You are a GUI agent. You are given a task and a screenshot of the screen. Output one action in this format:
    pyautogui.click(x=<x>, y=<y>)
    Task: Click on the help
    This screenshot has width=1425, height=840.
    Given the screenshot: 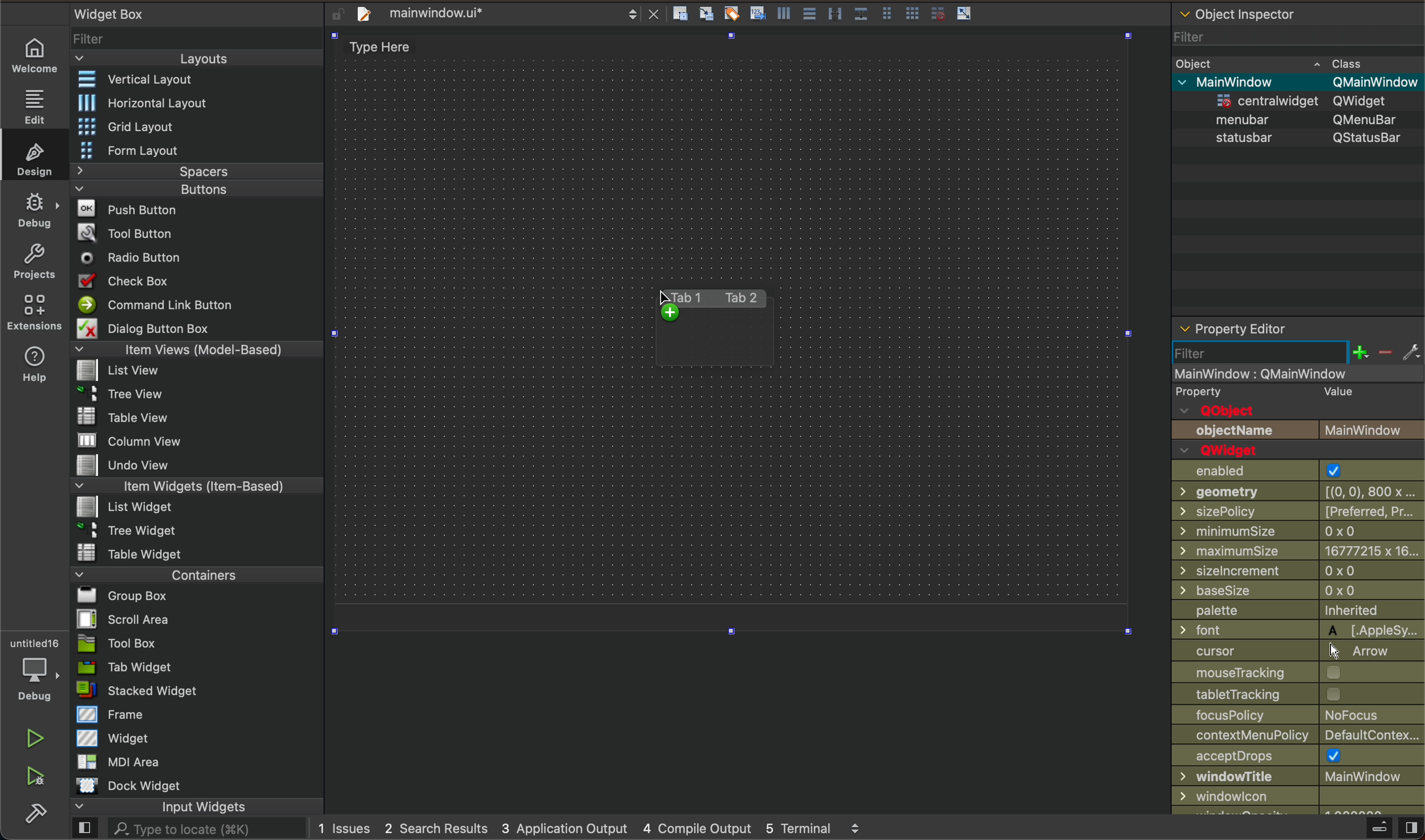 What is the action you would take?
    pyautogui.click(x=37, y=362)
    